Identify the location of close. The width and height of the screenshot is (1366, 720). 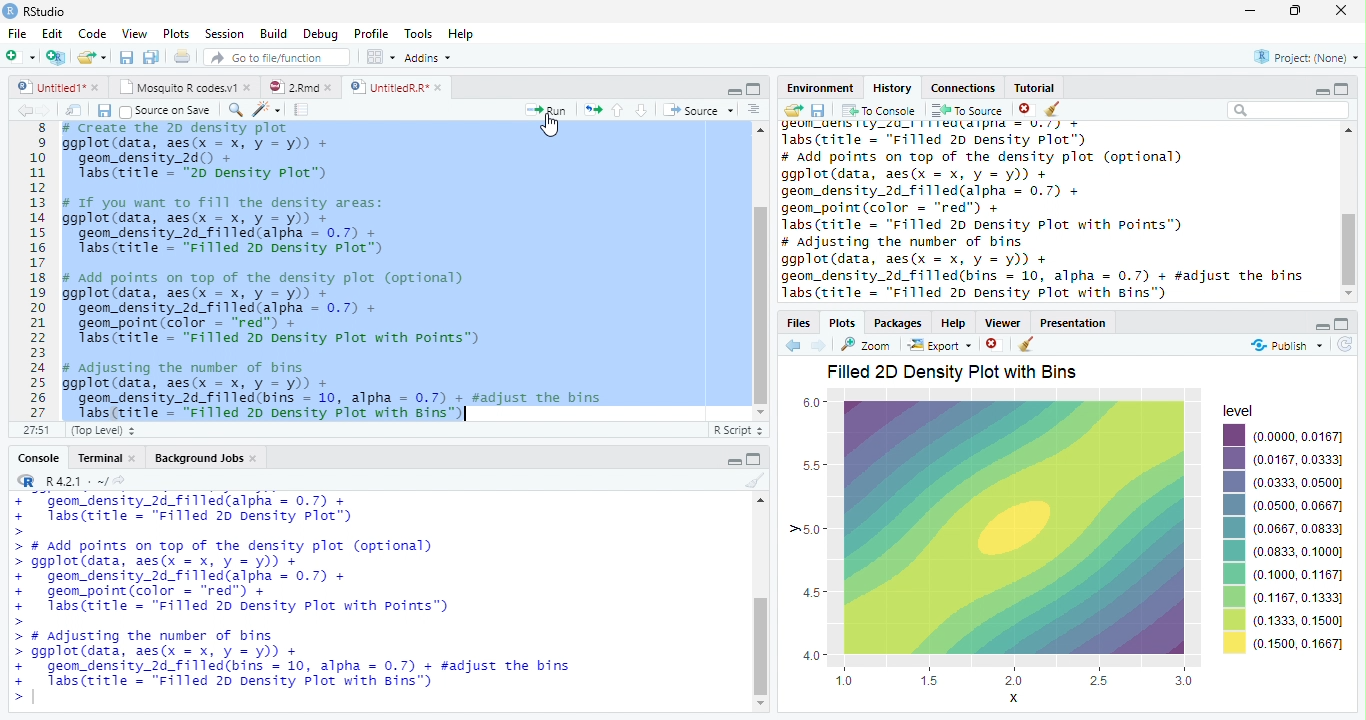
(250, 88).